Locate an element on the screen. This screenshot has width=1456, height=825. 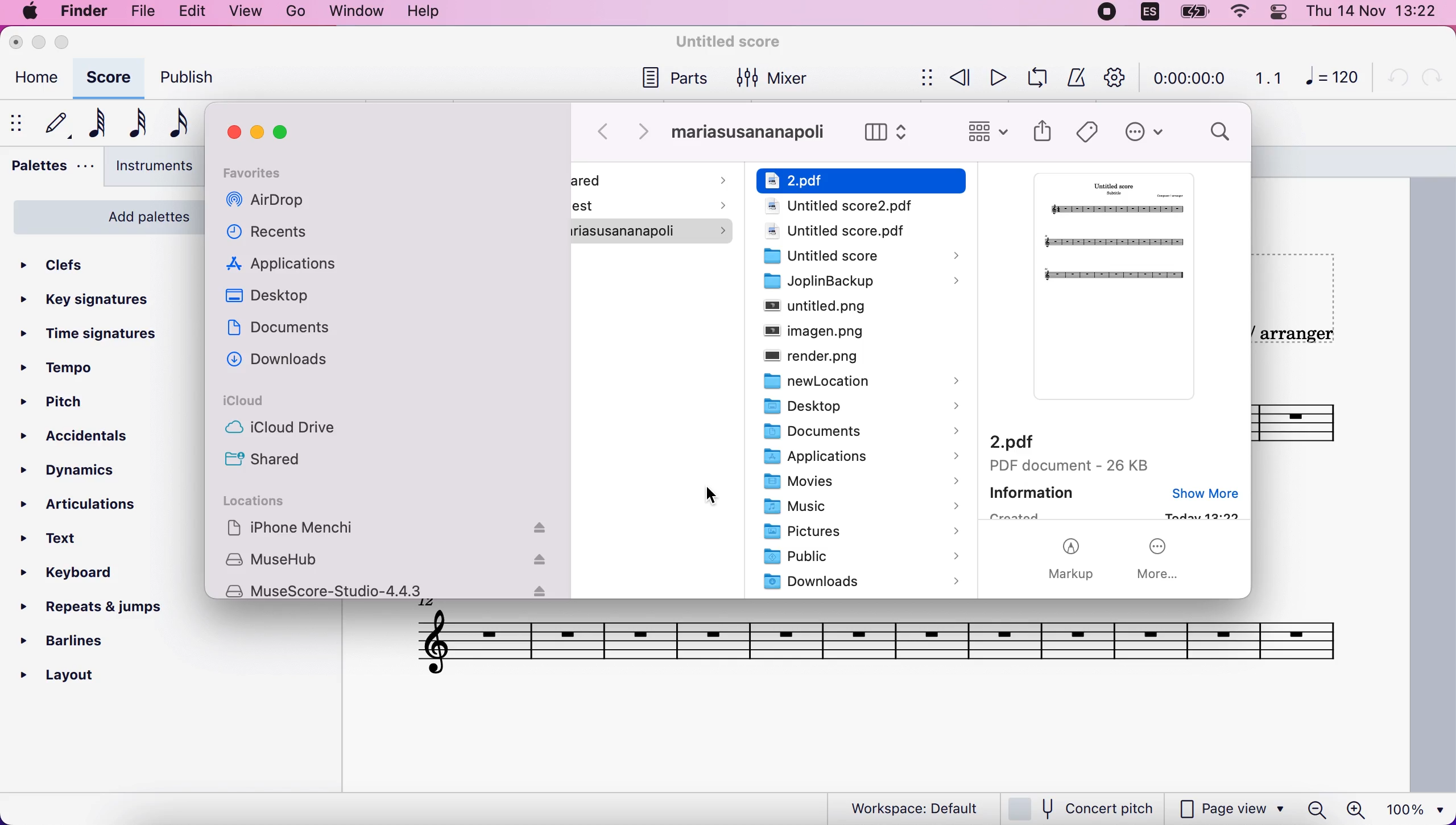
shared is located at coordinates (270, 457).